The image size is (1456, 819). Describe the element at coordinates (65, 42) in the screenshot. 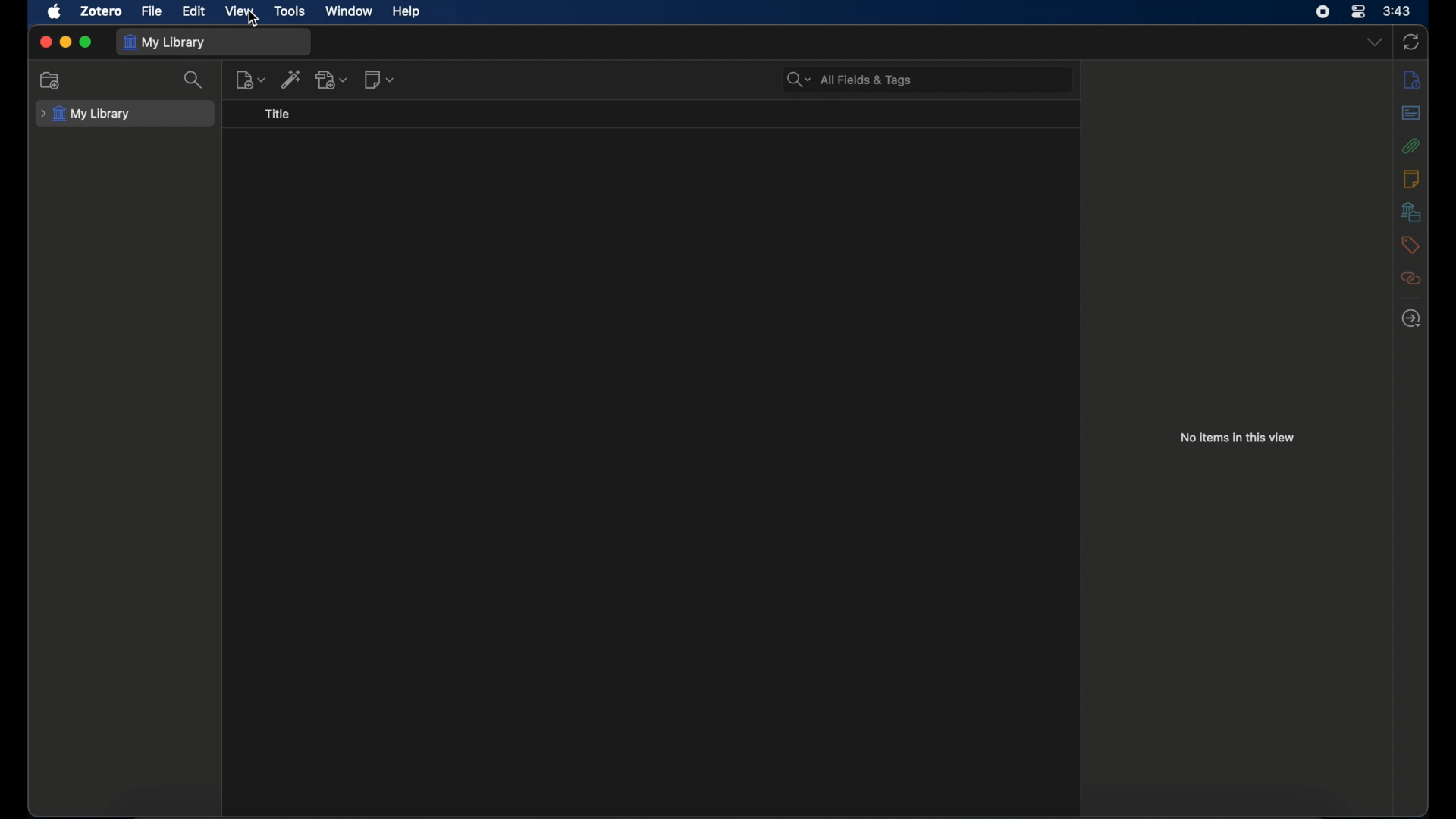

I see `minimize` at that location.